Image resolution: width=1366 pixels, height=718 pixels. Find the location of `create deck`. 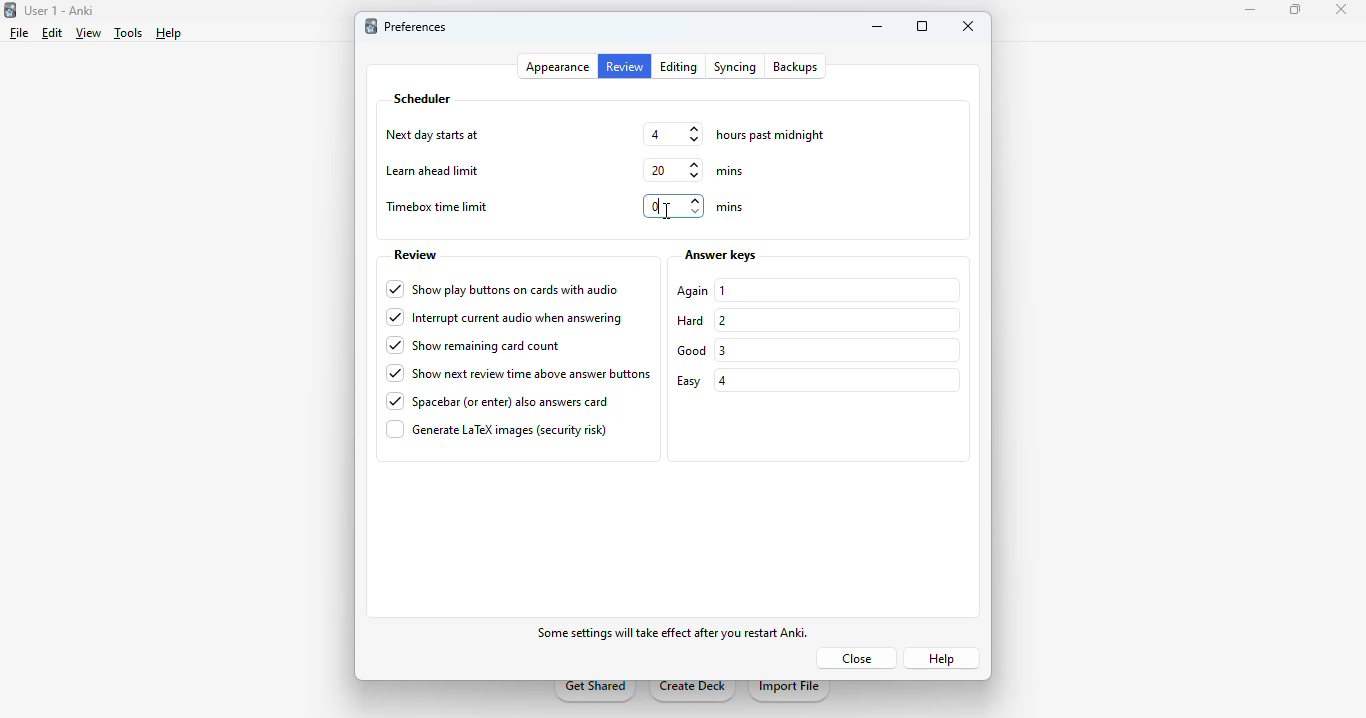

create deck is located at coordinates (693, 691).